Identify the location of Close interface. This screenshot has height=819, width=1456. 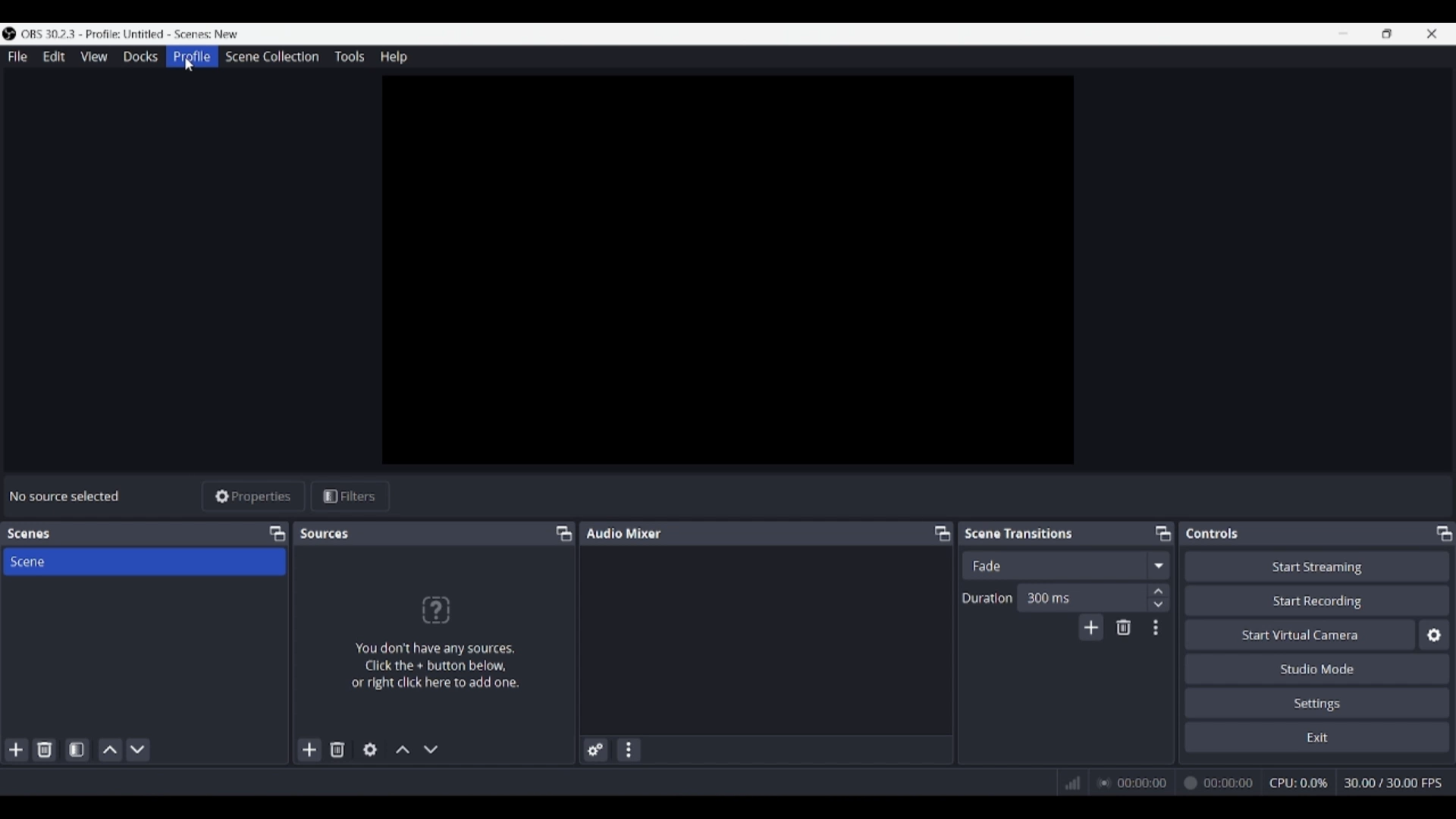
(1432, 33).